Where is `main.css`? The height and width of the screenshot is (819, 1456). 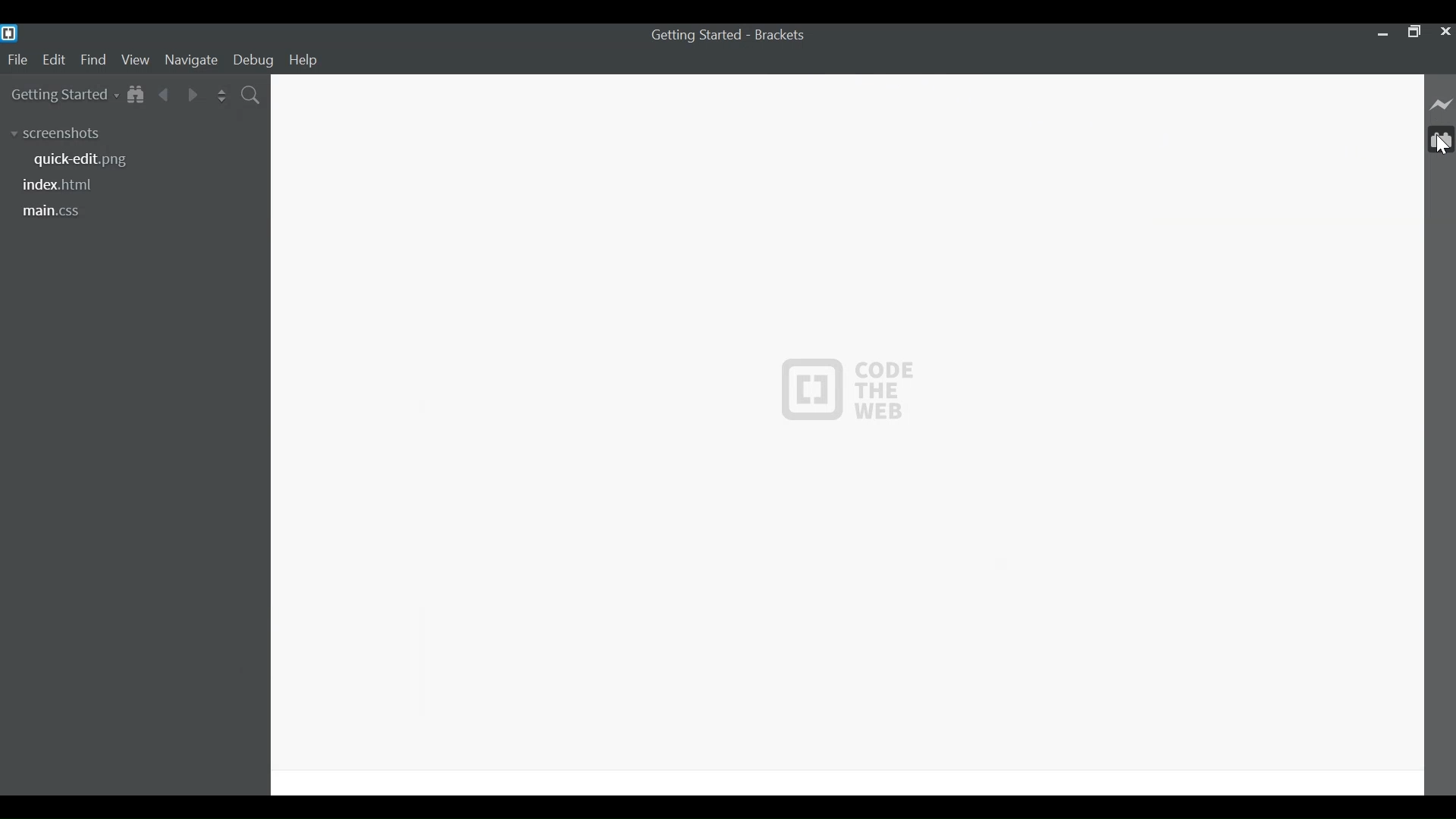 main.css is located at coordinates (60, 209).